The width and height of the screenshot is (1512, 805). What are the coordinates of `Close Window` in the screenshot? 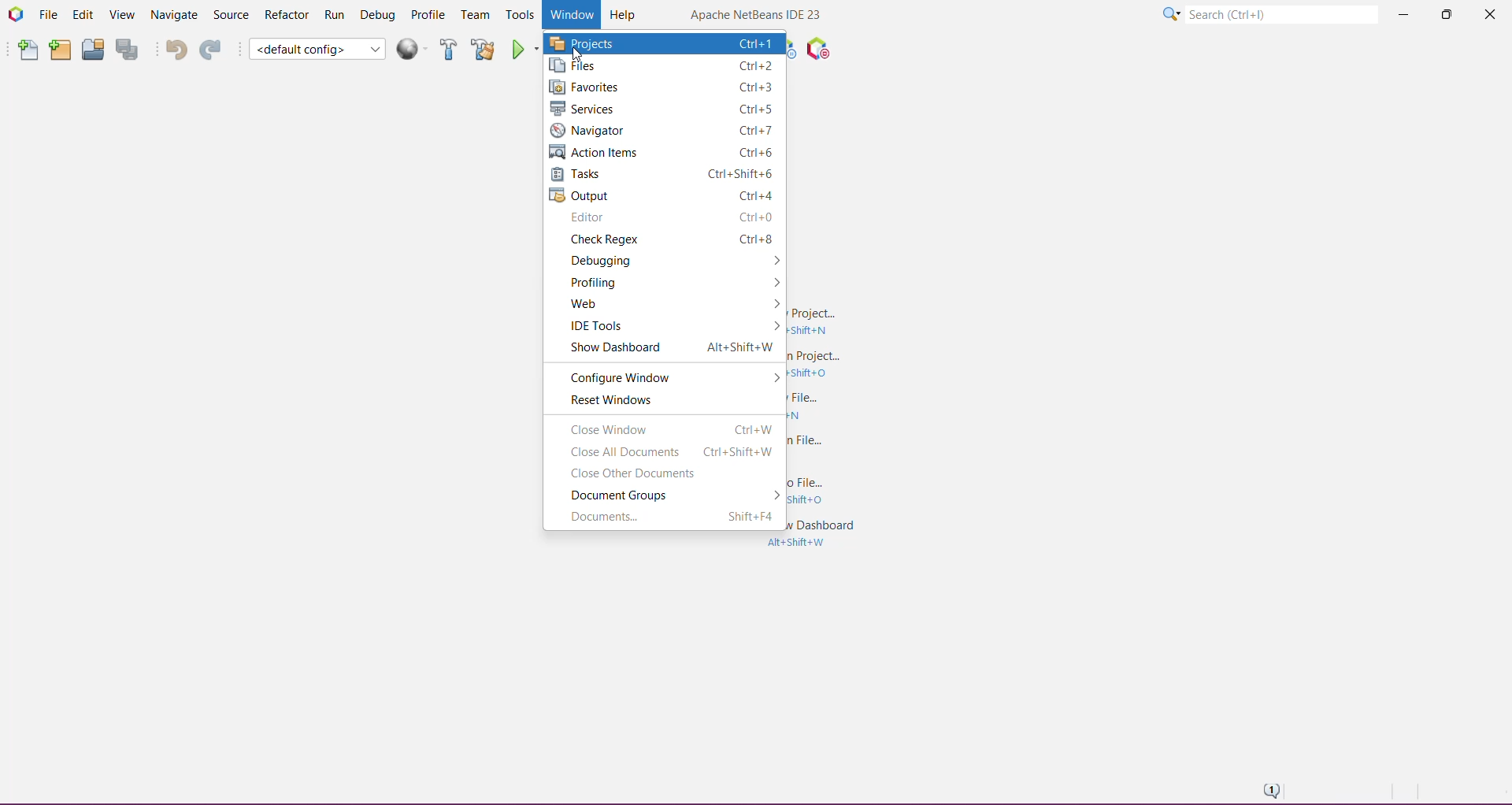 It's located at (669, 430).